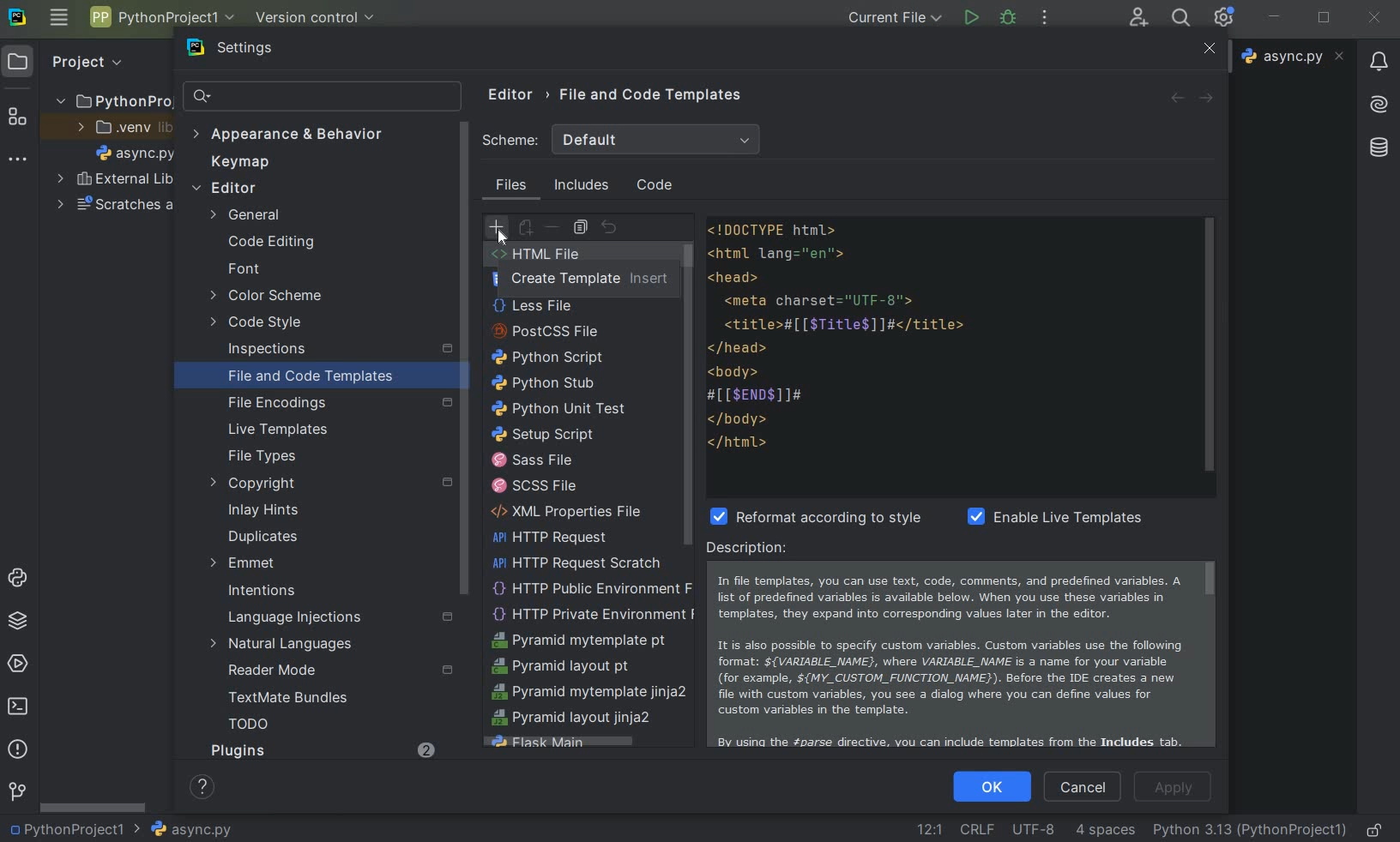 This screenshot has height=842, width=1400. I want to click on create child template file, so click(526, 227).